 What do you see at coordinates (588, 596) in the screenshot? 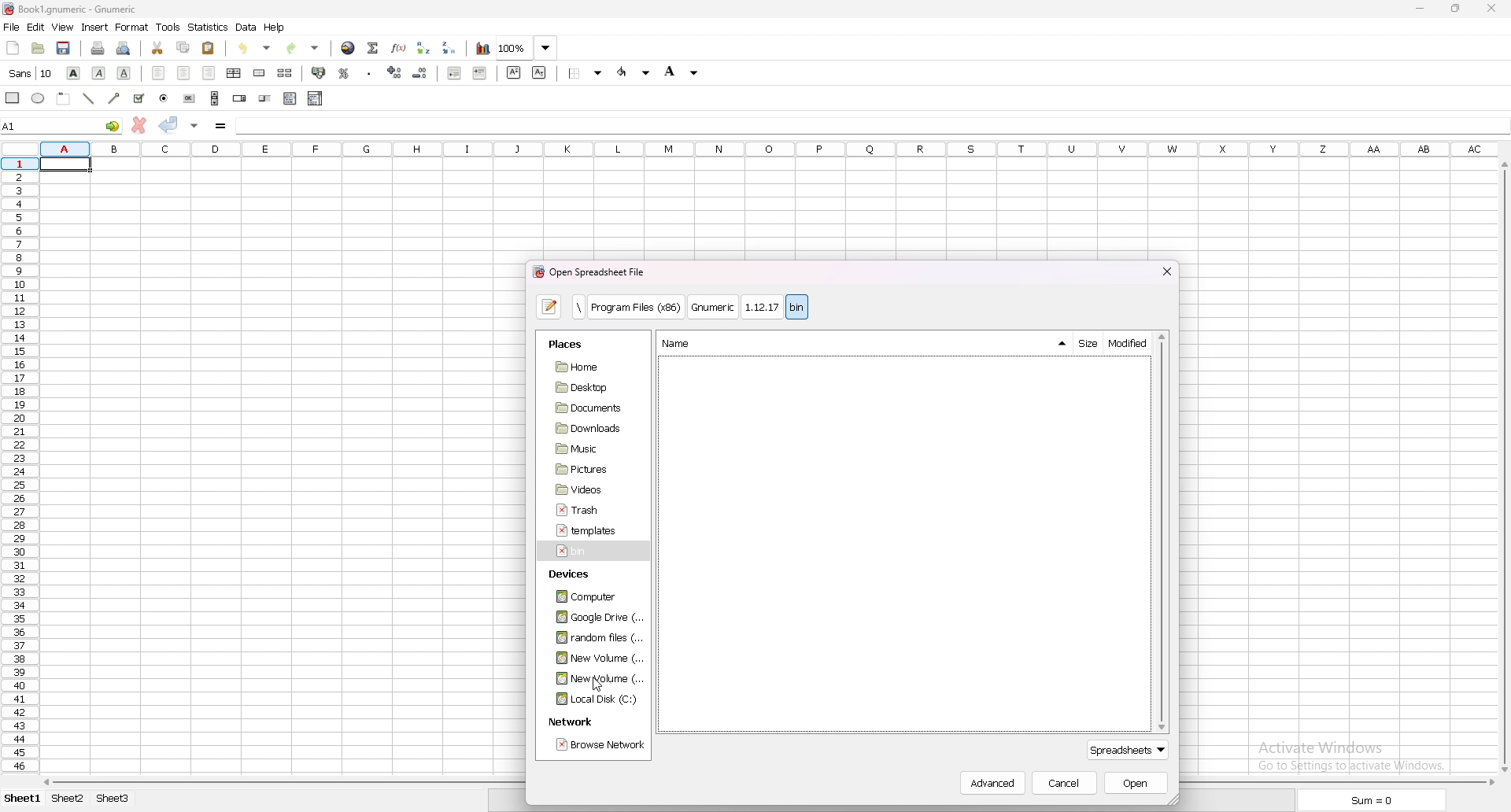
I see `computer` at bounding box center [588, 596].